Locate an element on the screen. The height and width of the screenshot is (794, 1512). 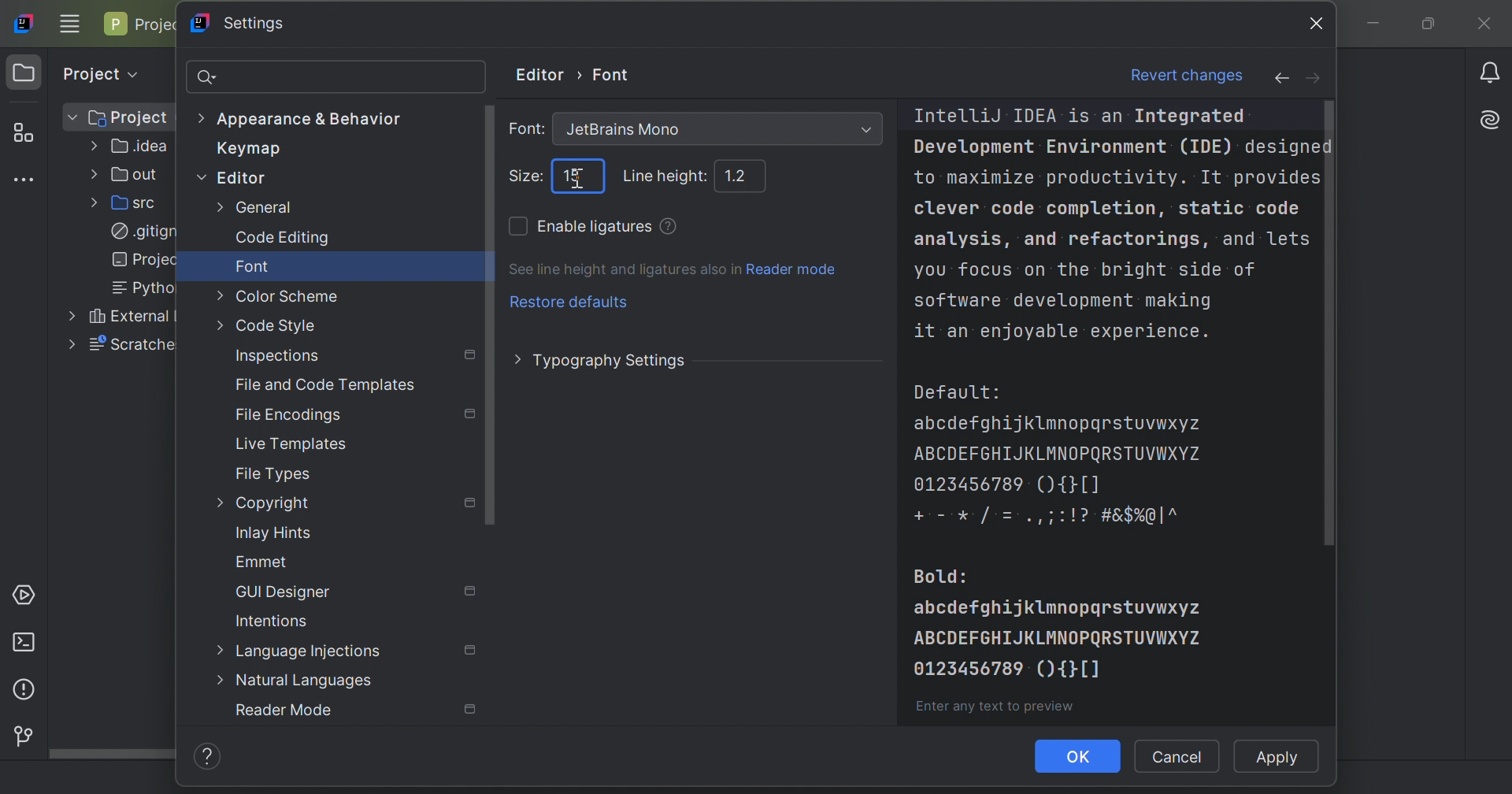
Appearance & Behavior is located at coordinates (302, 120).